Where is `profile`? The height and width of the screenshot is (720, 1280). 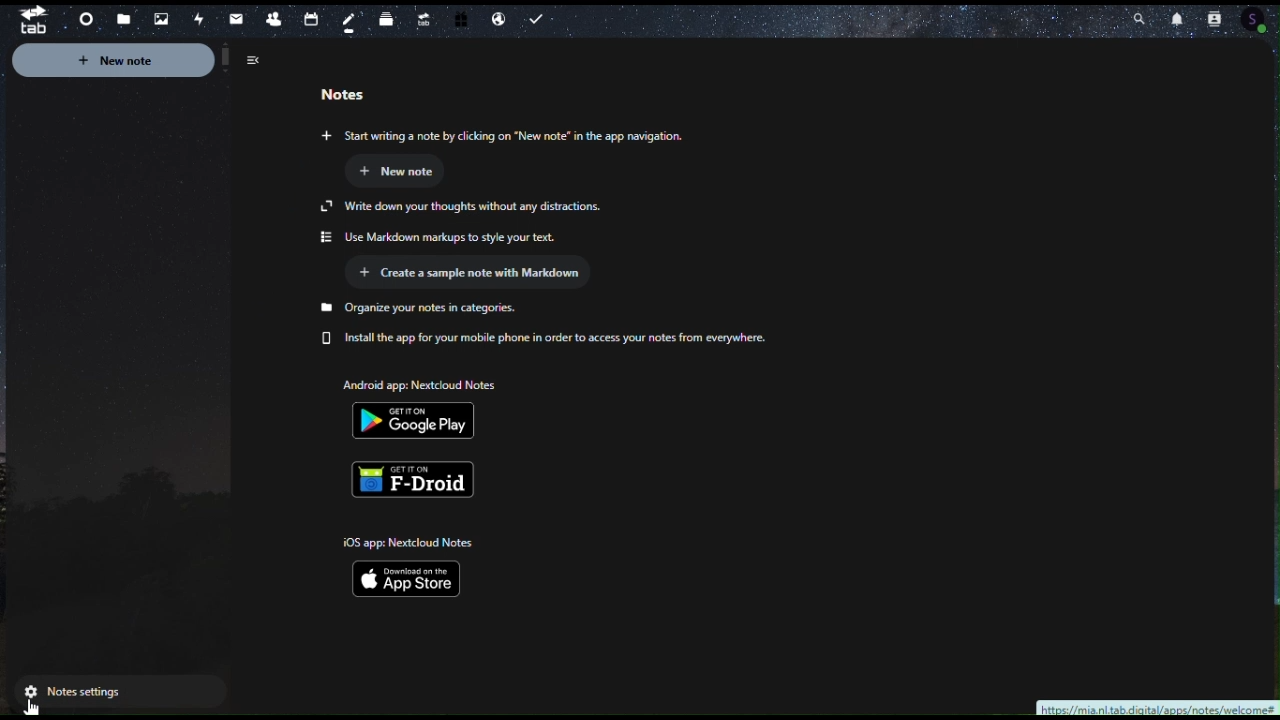 profile is located at coordinates (1265, 21).